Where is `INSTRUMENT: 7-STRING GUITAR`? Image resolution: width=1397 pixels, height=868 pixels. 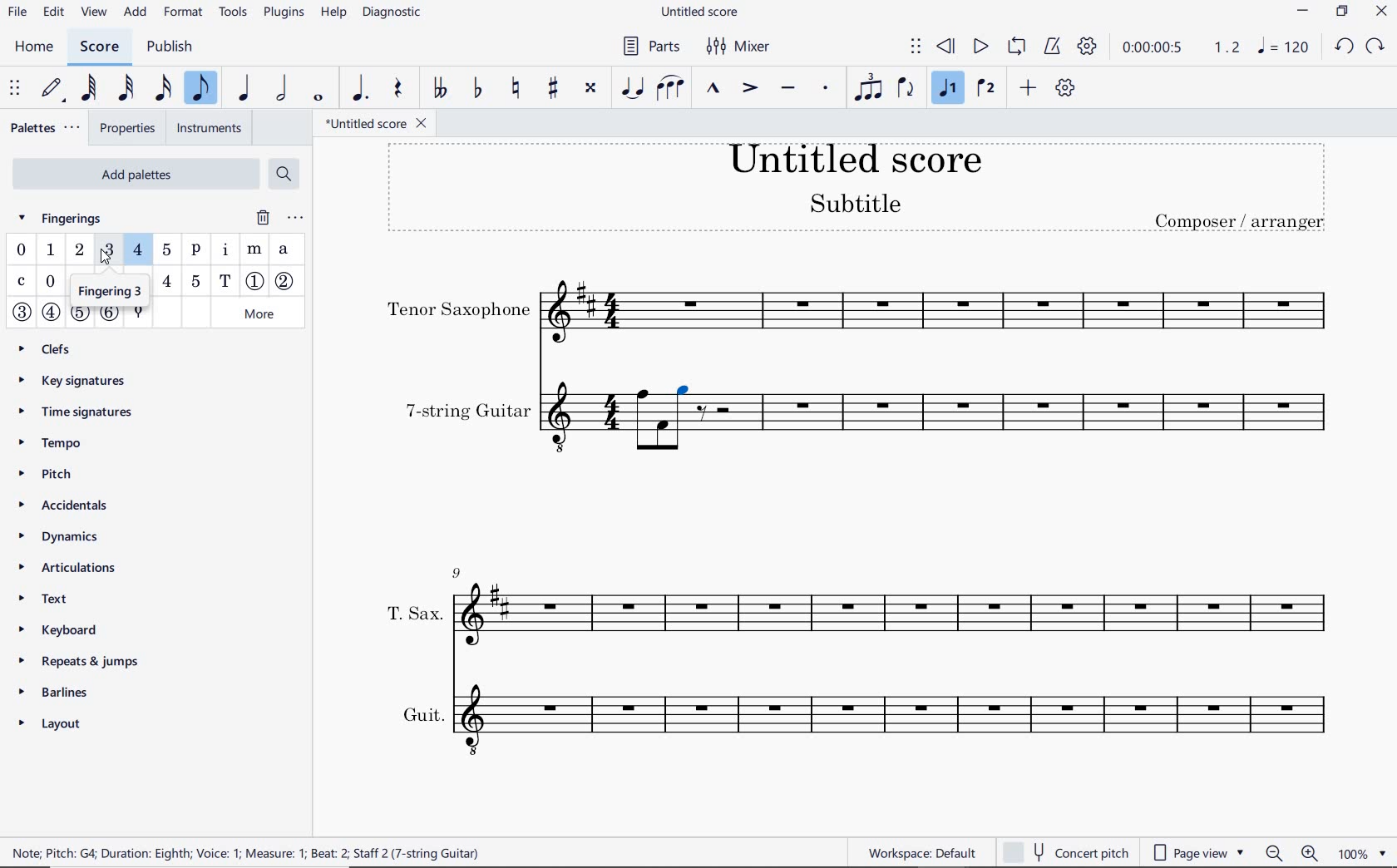 INSTRUMENT: 7-STRING GUITAR is located at coordinates (1022, 421).